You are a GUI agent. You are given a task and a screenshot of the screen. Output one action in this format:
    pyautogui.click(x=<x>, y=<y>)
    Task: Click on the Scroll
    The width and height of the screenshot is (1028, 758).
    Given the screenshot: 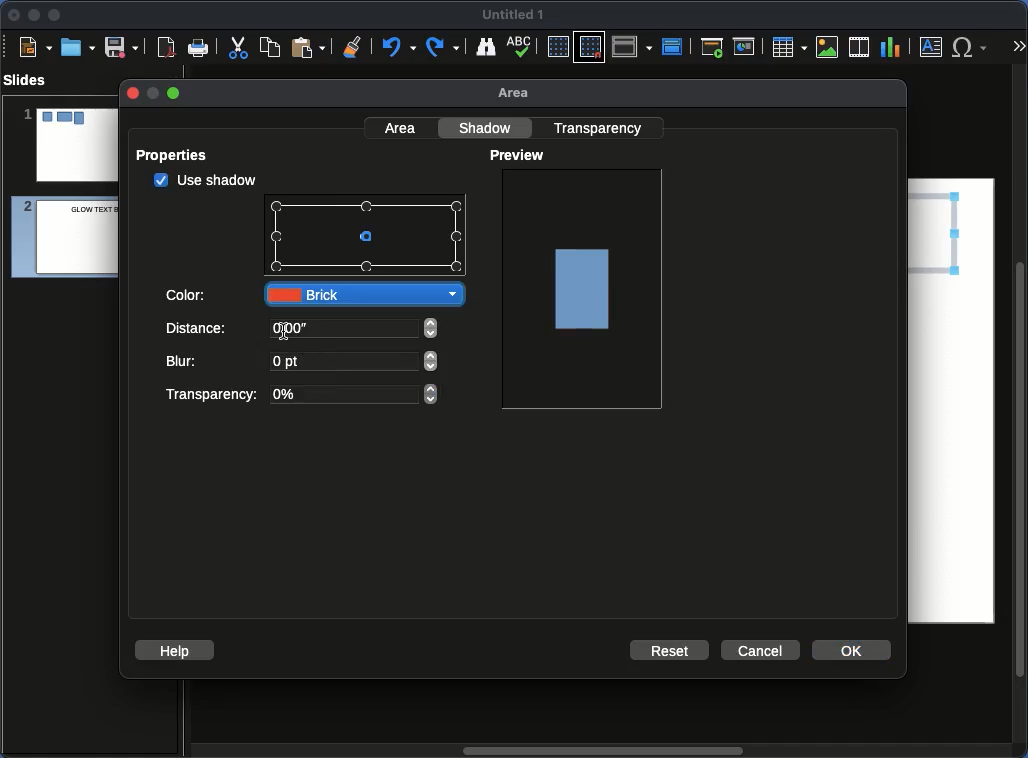 What is the action you would take?
    pyautogui.click(x=599, y=752)
    